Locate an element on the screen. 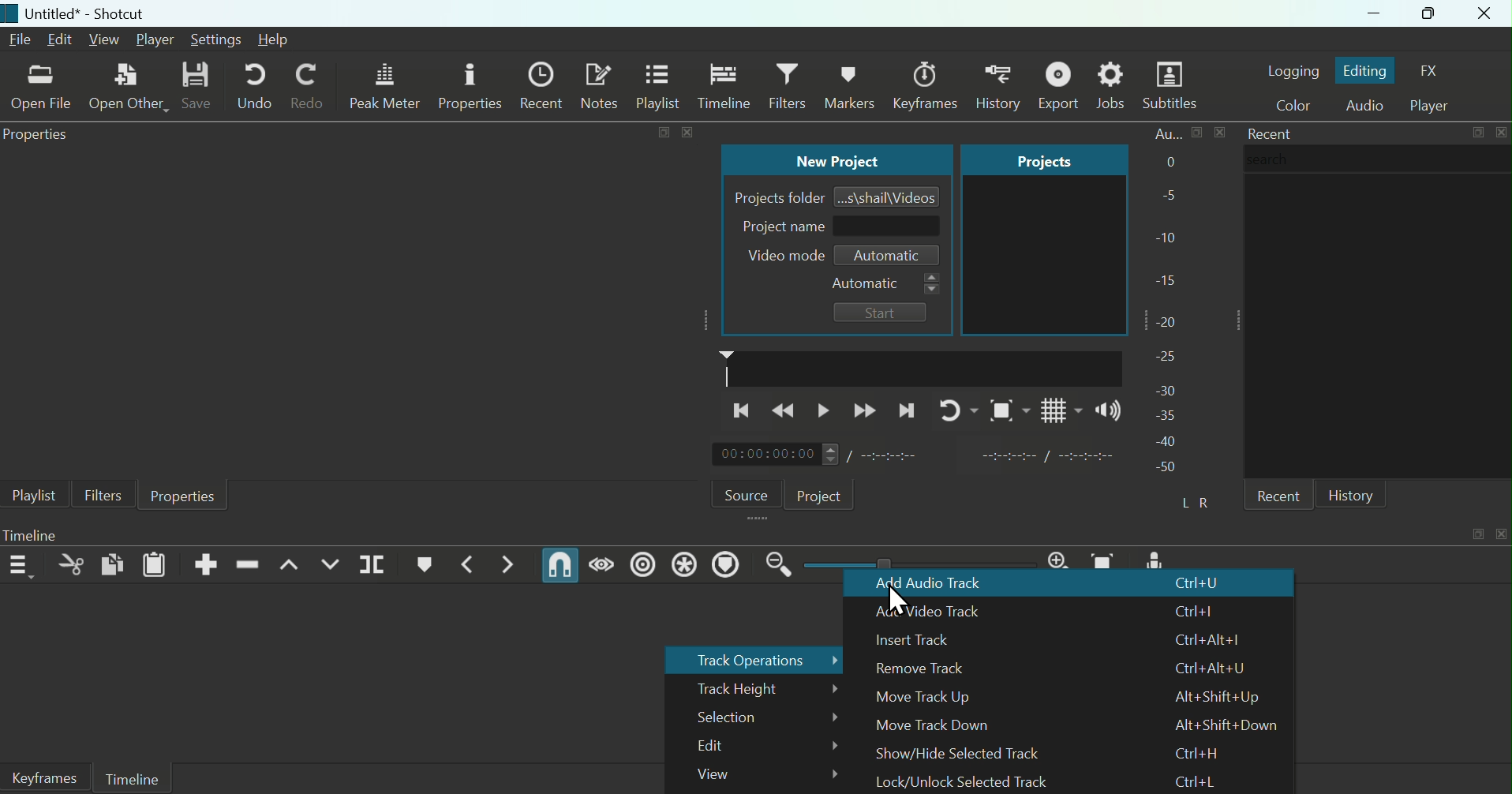 This screenshot has height=794, width=1512. Add Video Track is located at coordinates (938, 612).